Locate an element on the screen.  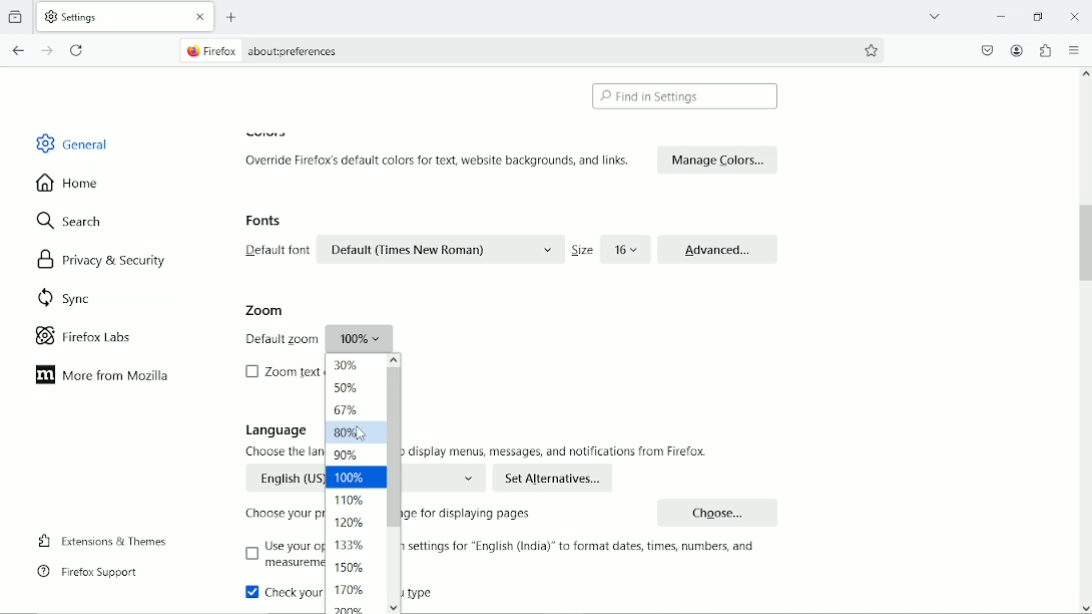
150% is located at coordinates (350, 567).